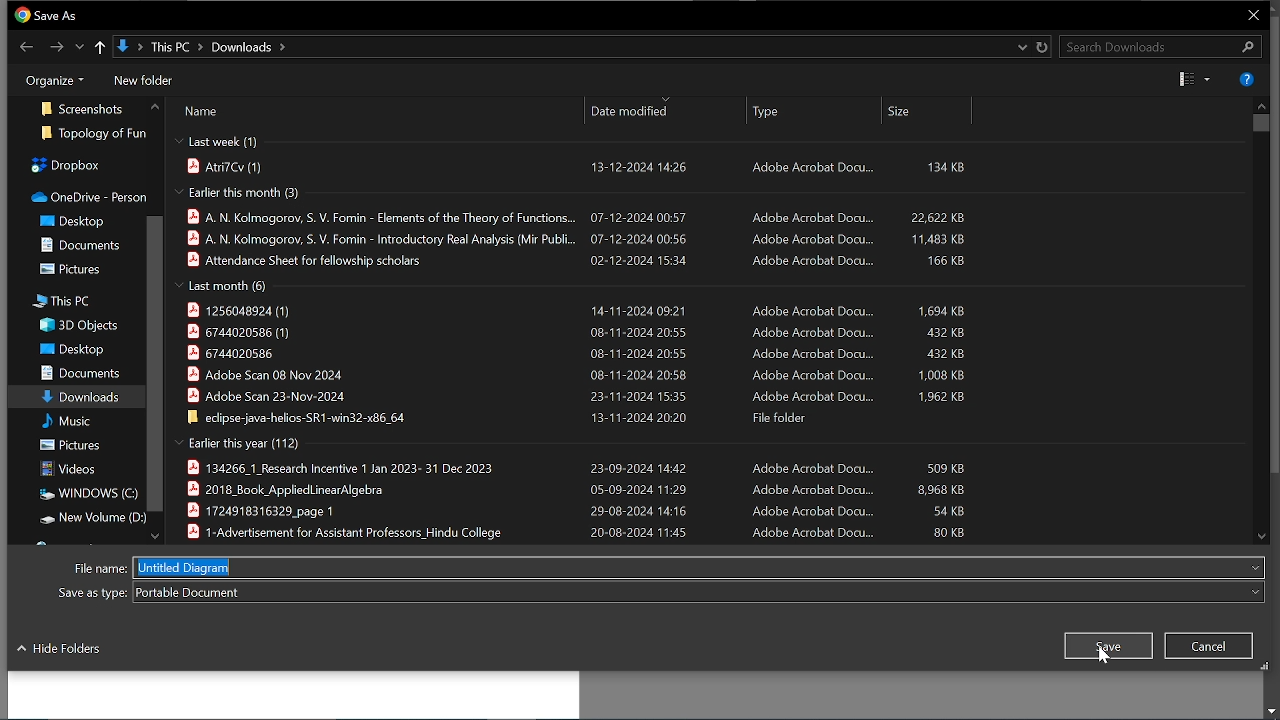  I want to click on 11,483 KB, so click(936, 241).